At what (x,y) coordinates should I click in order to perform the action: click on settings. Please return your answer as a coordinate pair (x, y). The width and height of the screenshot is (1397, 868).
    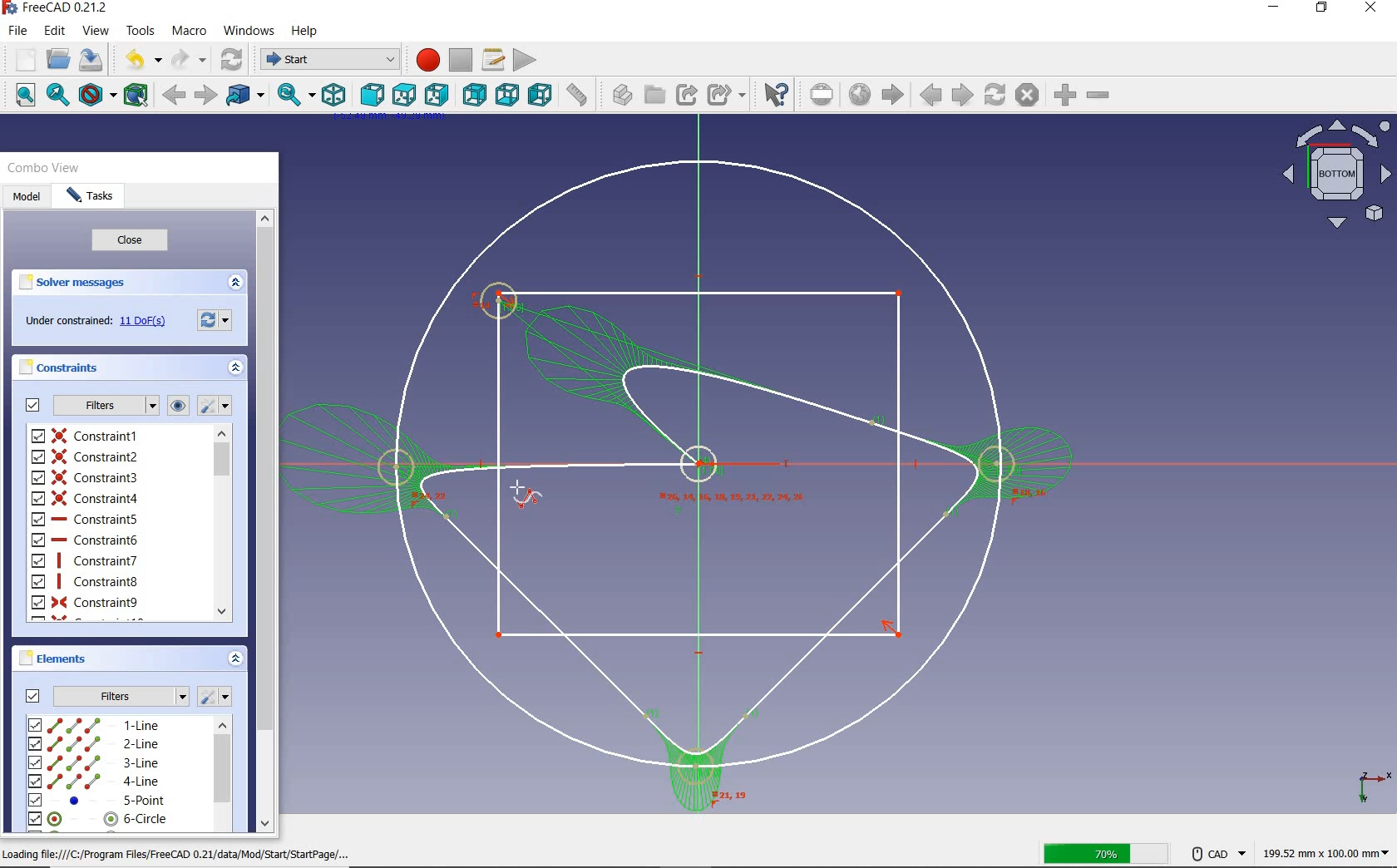
    Looking at the image, I should click on (216, 404).